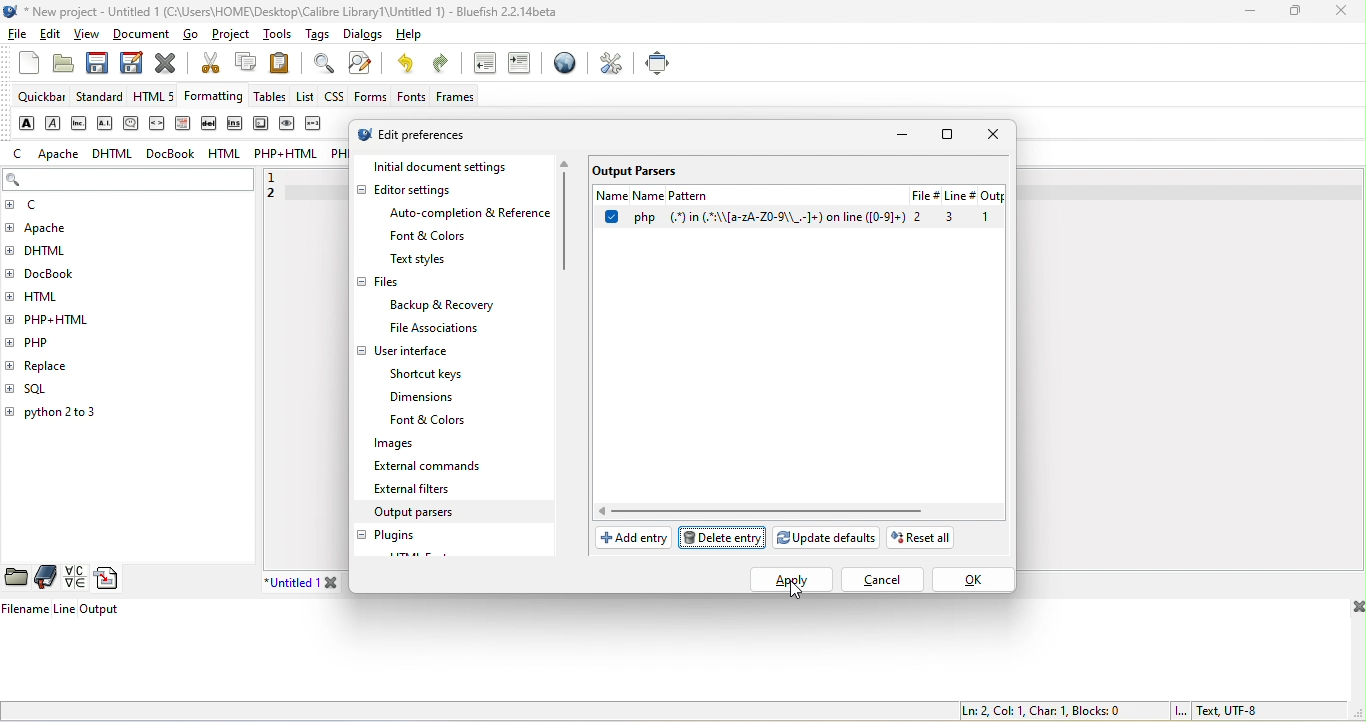 The width and height of the screenshot is (1366, 722). What do you see at coordinates (448, 305) in the screenshot?
I see `backup & recovery` at bounding box center [448, 305].